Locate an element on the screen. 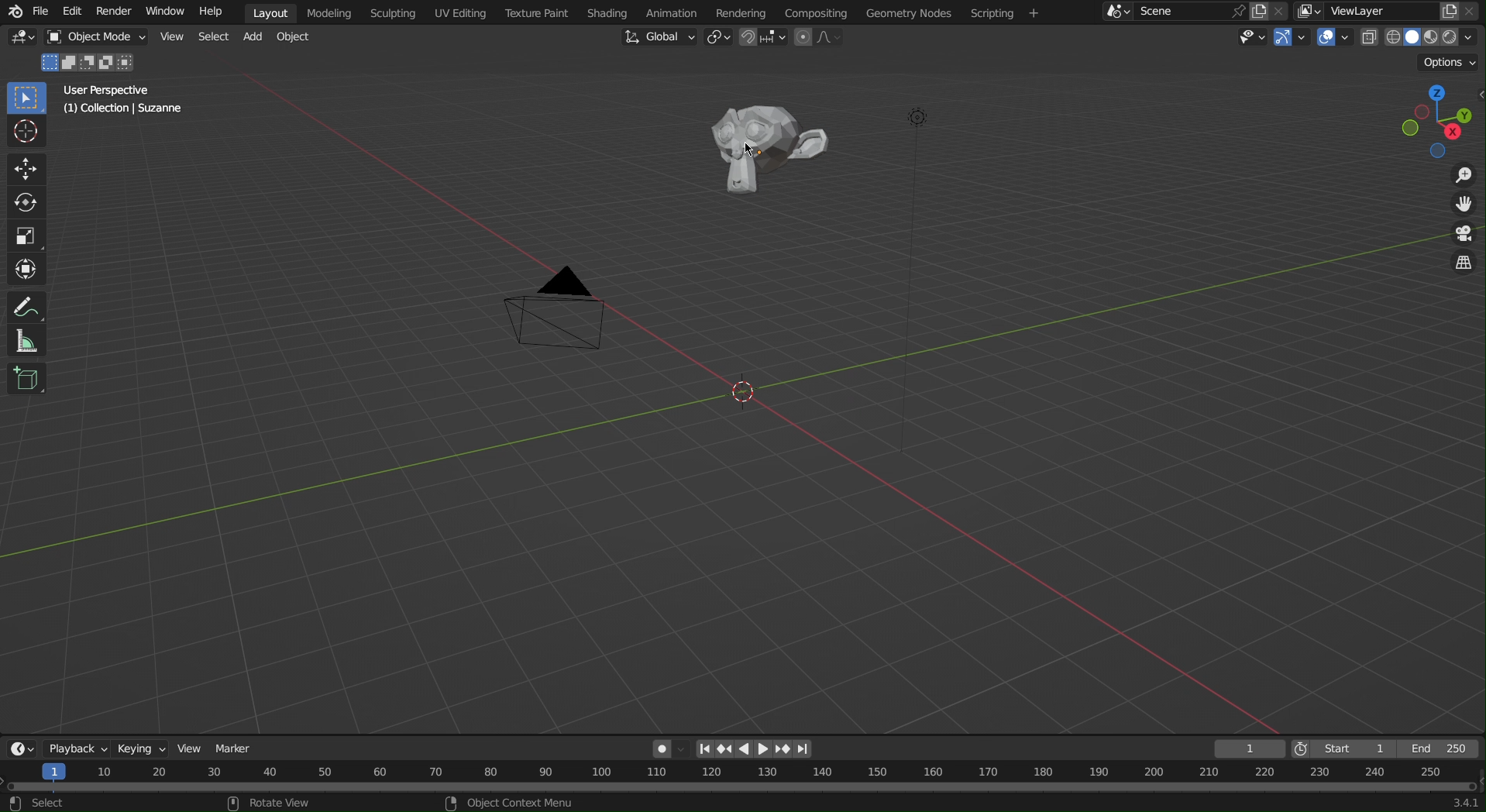 This screenshot has height=812, width=1486. icon is located at coordinates (233, 803).